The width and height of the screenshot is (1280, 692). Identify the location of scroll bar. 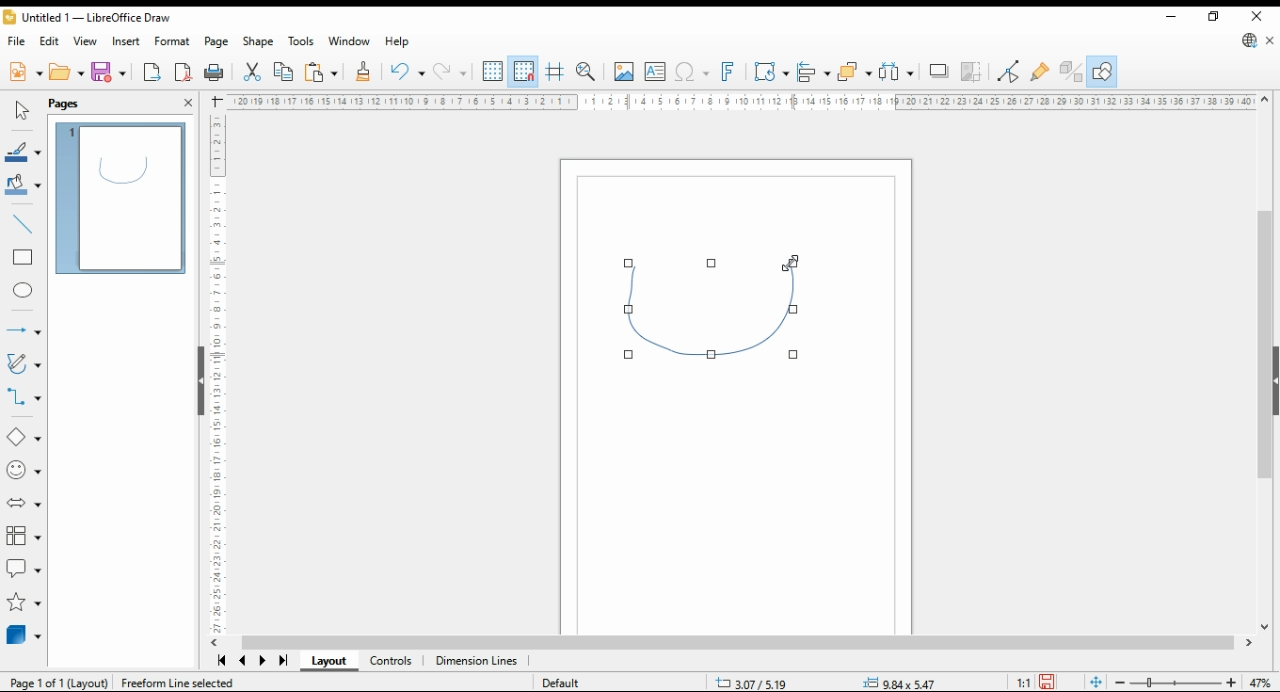
(1265, 361).